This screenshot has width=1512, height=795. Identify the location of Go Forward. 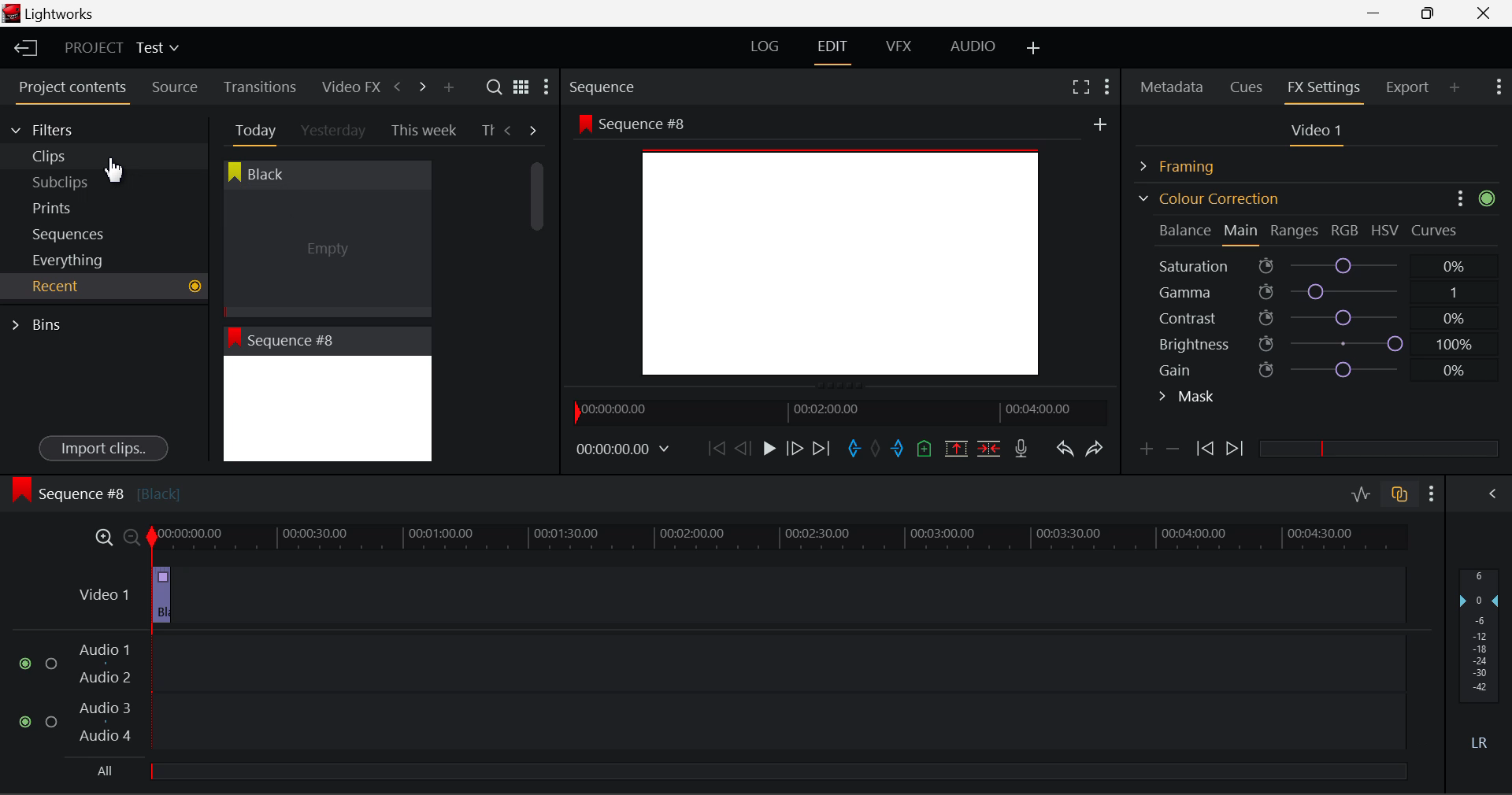
(795, 448).